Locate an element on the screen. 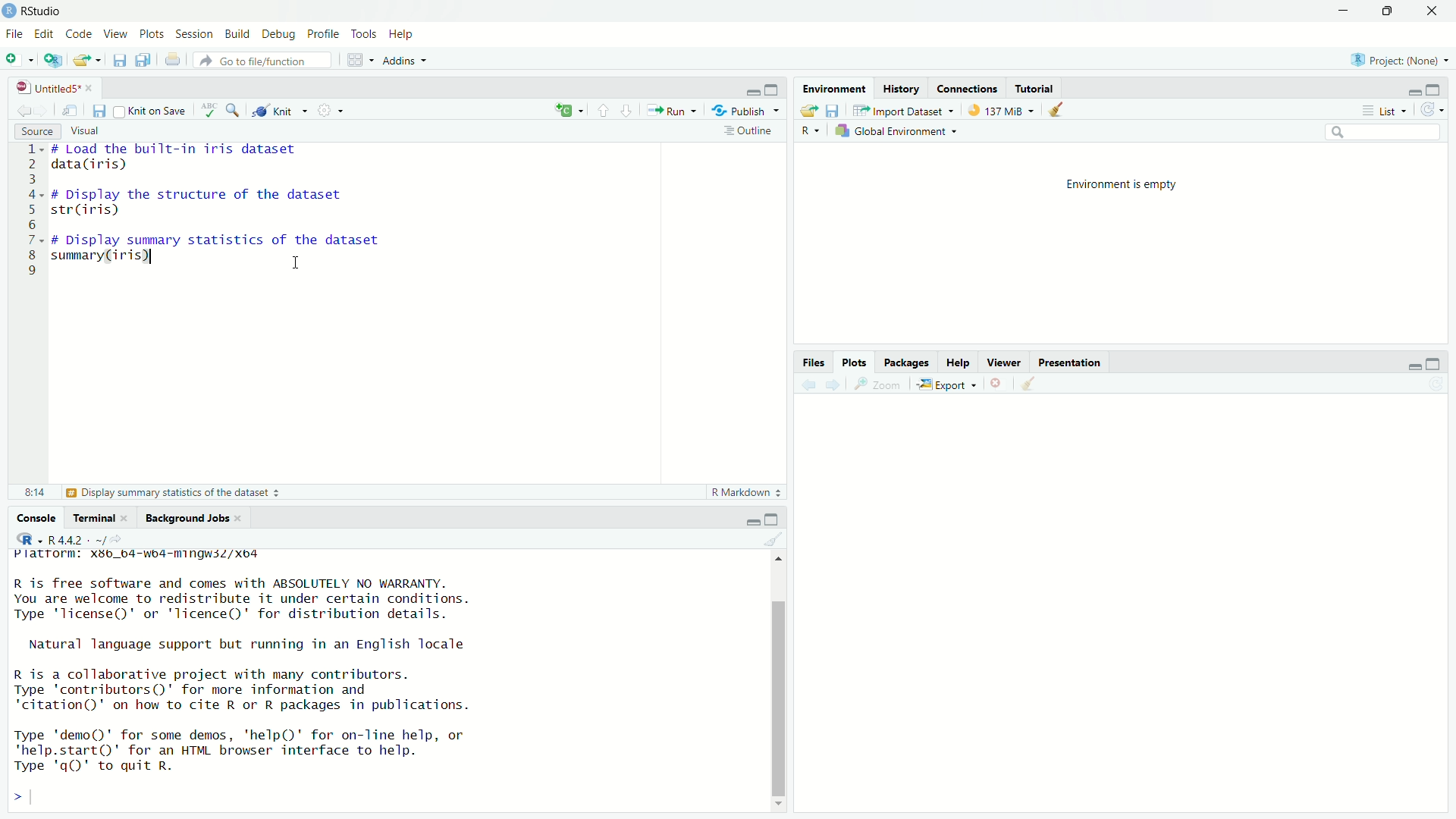 The width and height of the screenshot is (1456, 819). Create new project is located at coordinates (53, 61).